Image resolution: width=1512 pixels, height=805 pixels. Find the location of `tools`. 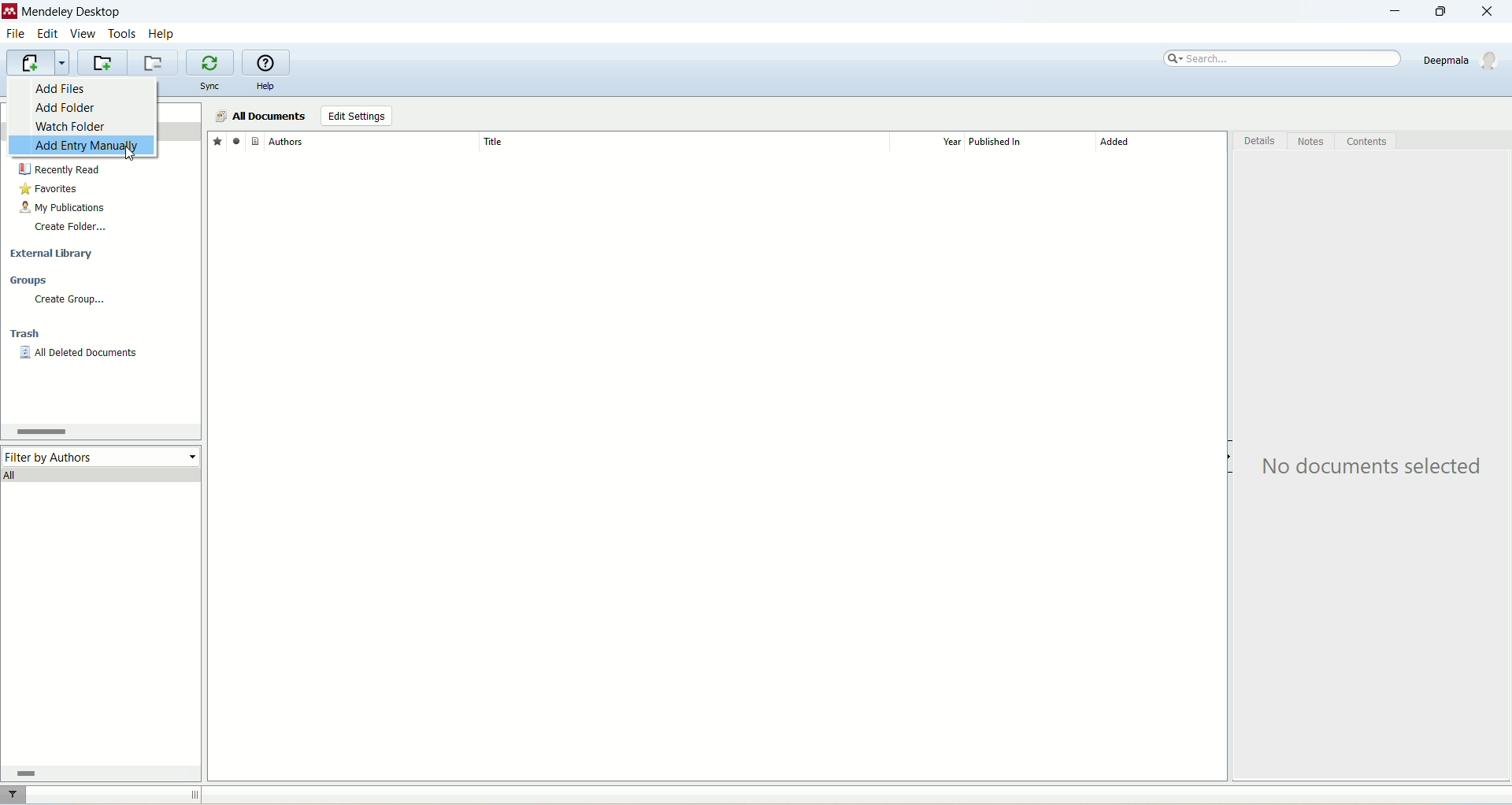

tools is located at coordinates (123, 32).